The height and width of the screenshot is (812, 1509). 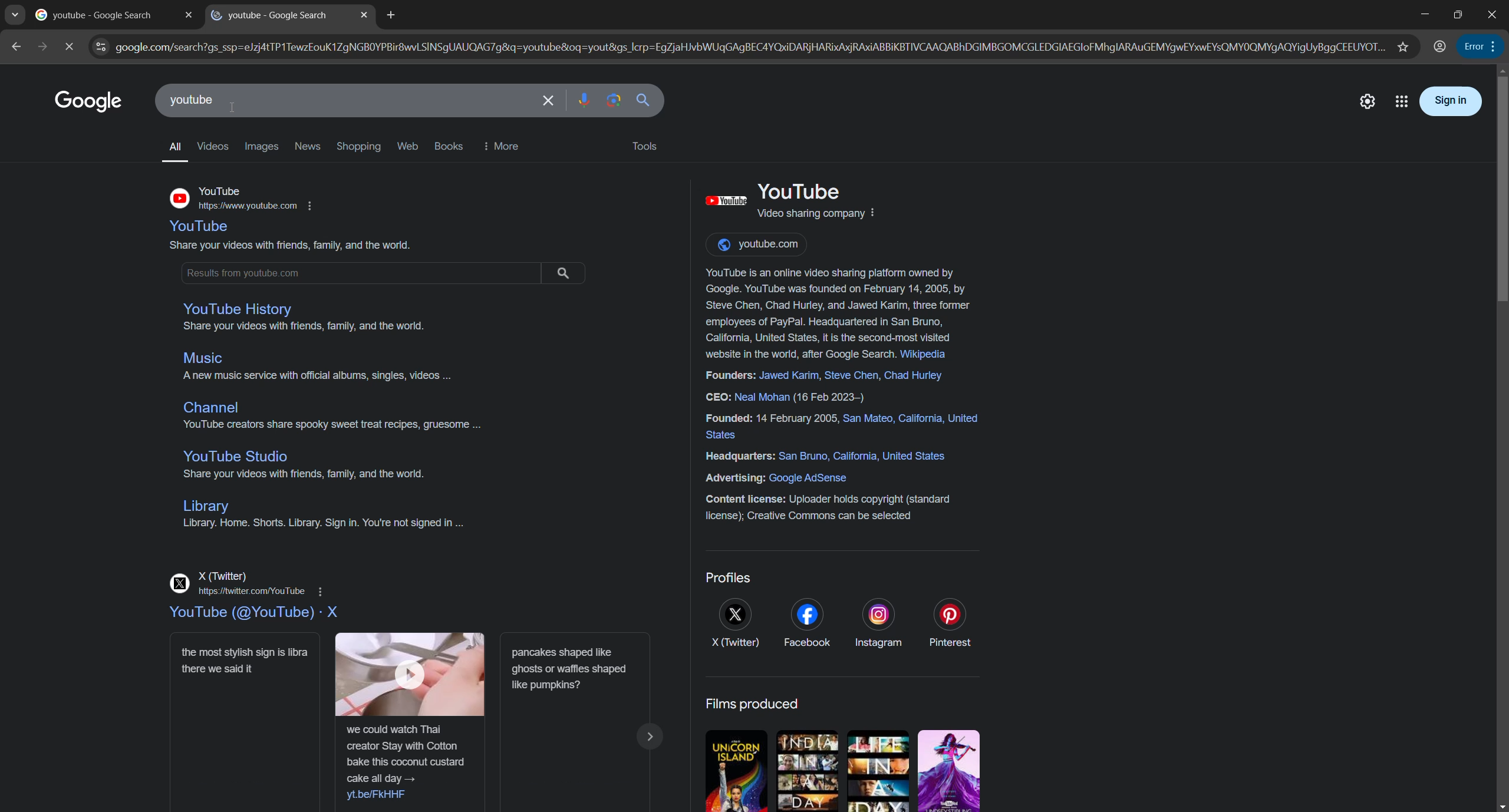 What do you see at coordinates (1421, 14) in the screenshot?
I see `minimize` at bounding box center [1421, 14].